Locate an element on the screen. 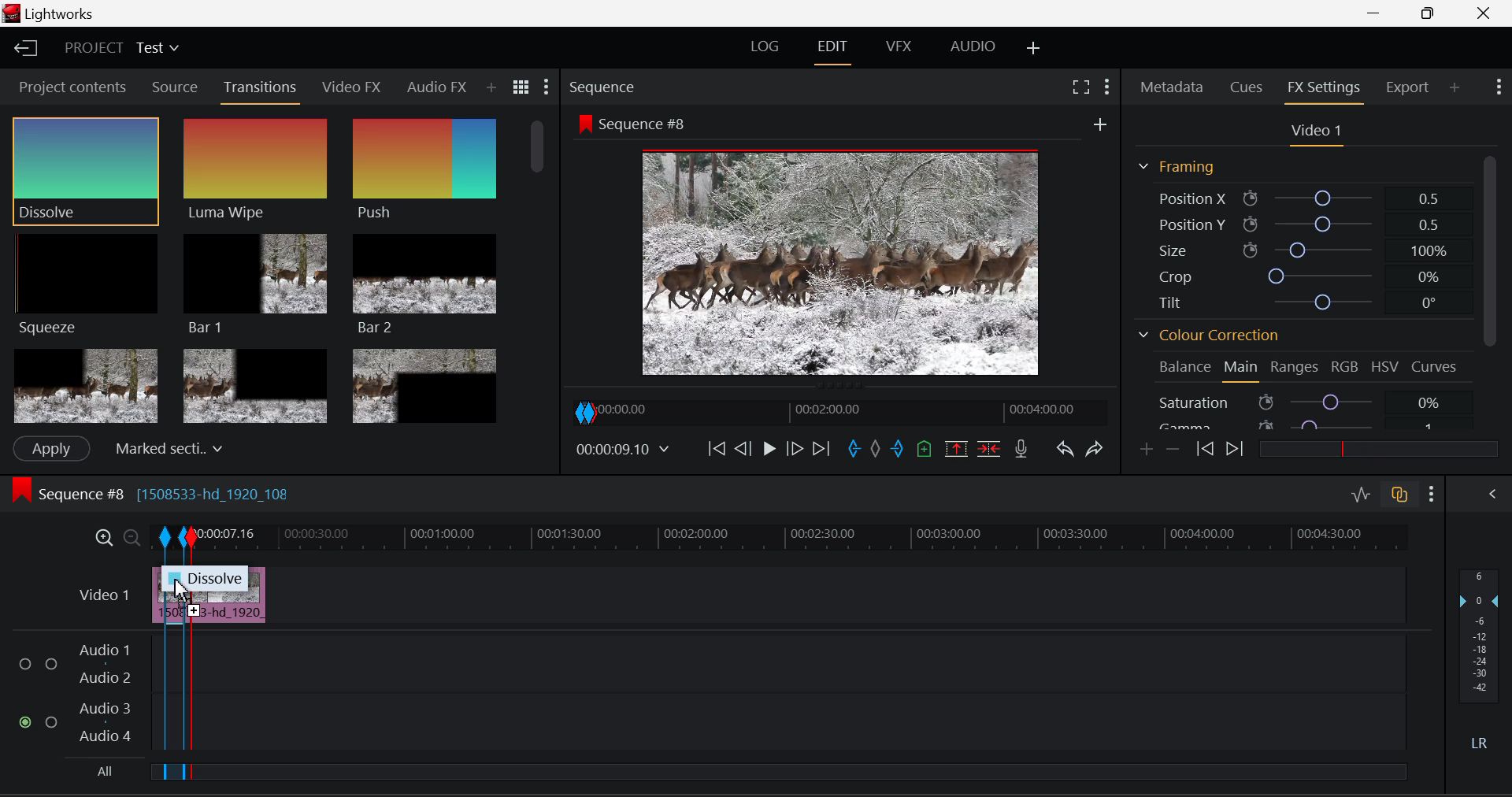  Previous keyframe is located at coordinates (1204, 449).